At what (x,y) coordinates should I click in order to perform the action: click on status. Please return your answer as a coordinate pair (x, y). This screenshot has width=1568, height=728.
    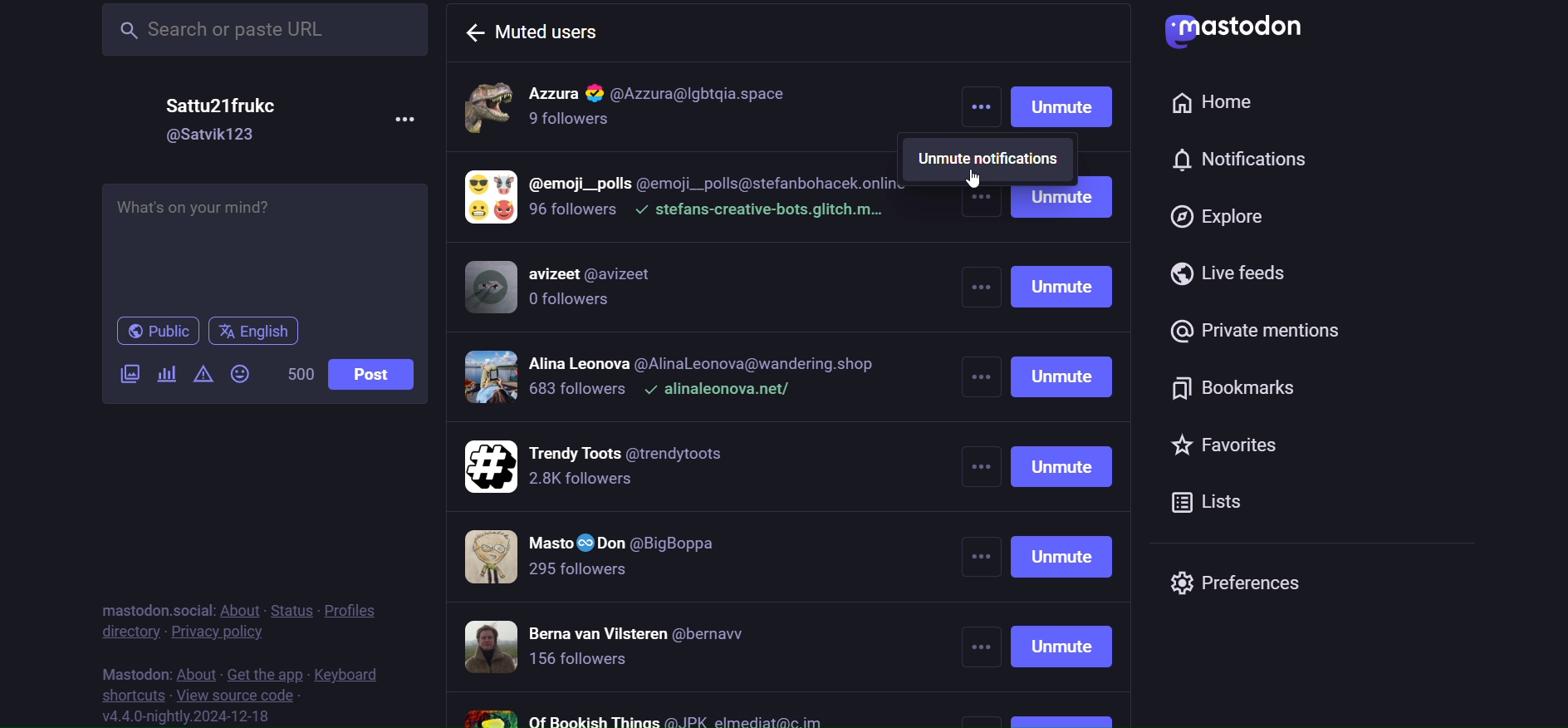
    Looking at the image, I should click on (290, 610).